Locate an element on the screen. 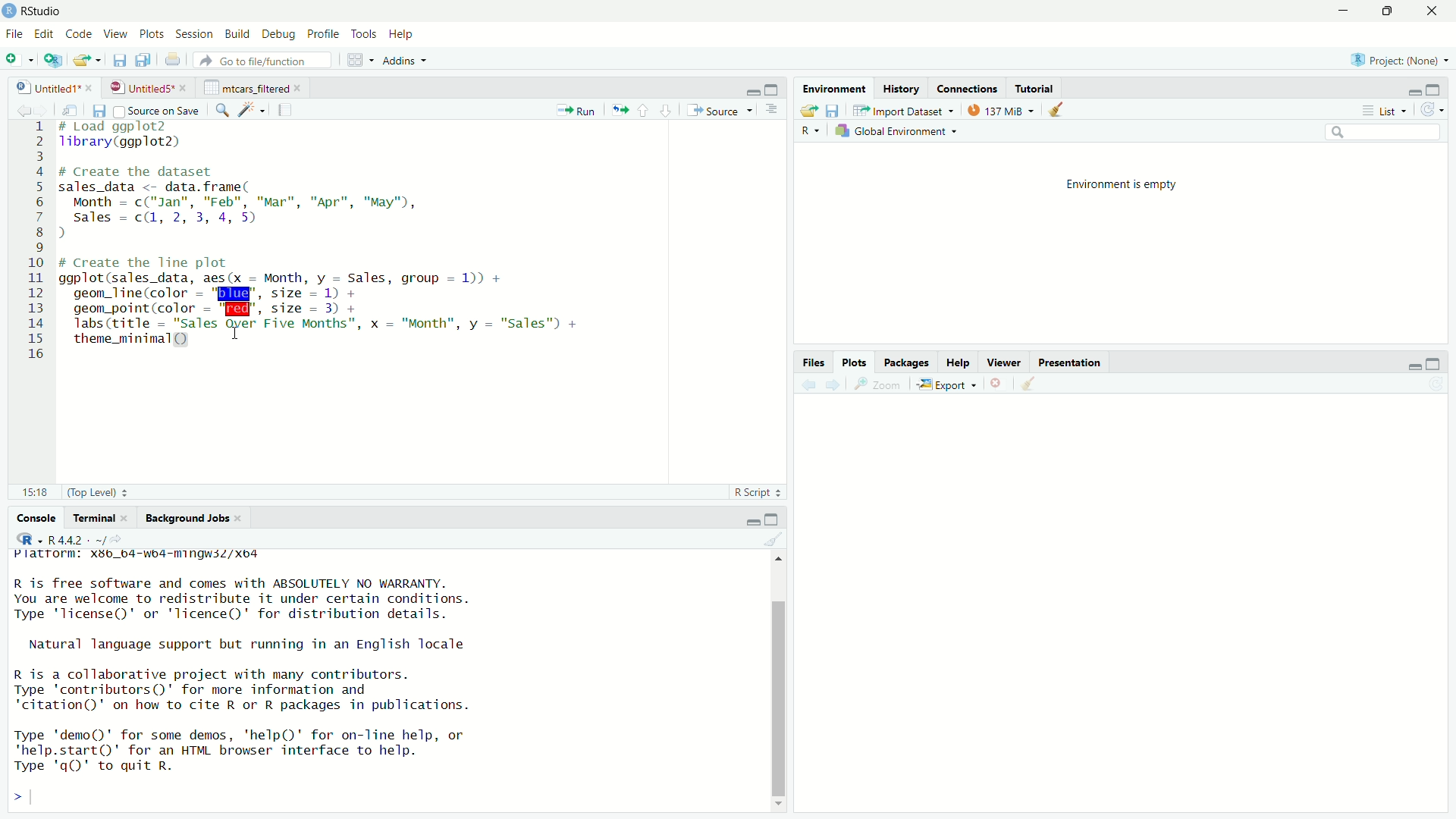 The image size is (1456, 819). print current file is located at coordinates (174, 61).